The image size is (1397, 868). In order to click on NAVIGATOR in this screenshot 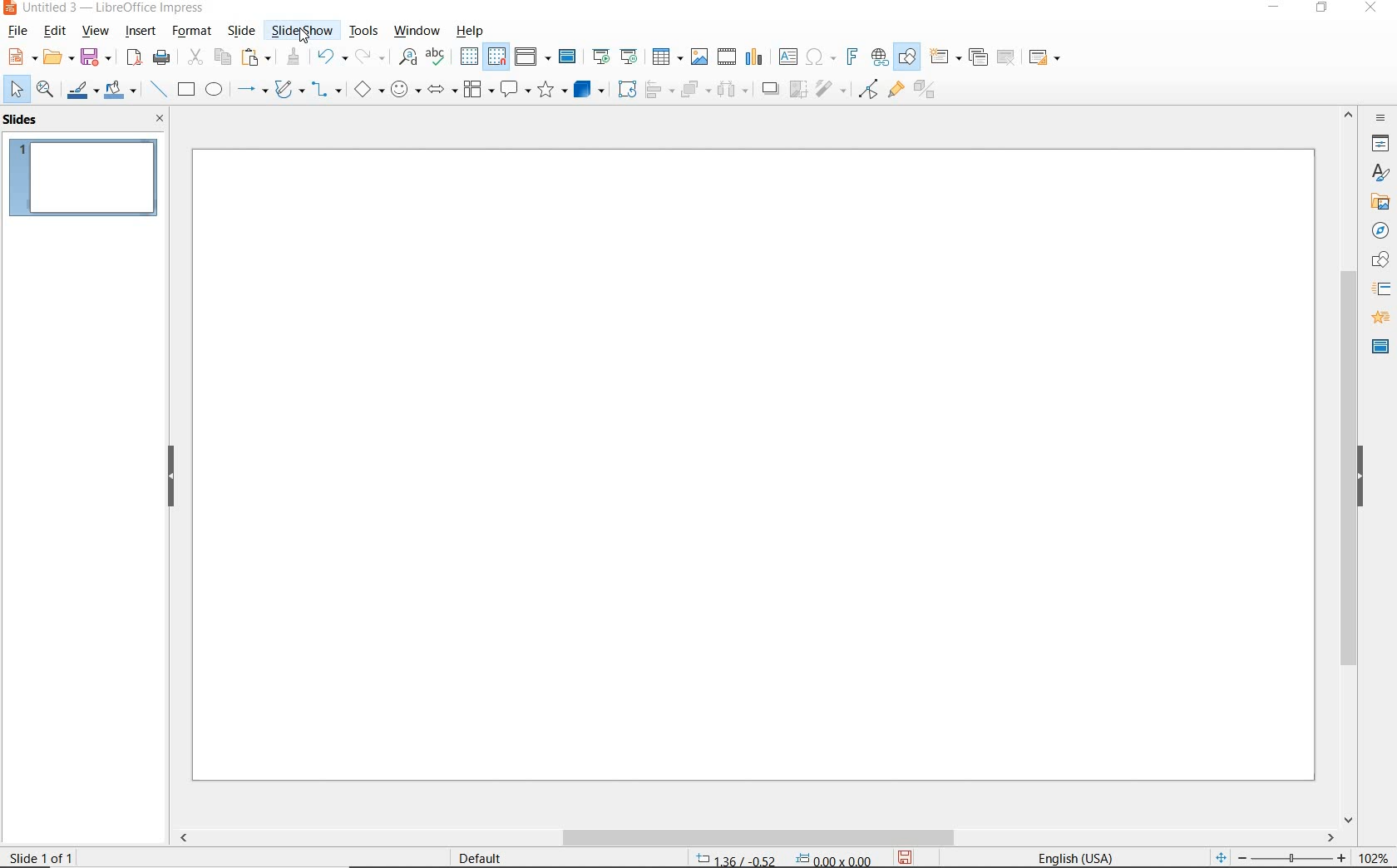, I will do `click(1380, 232)`.